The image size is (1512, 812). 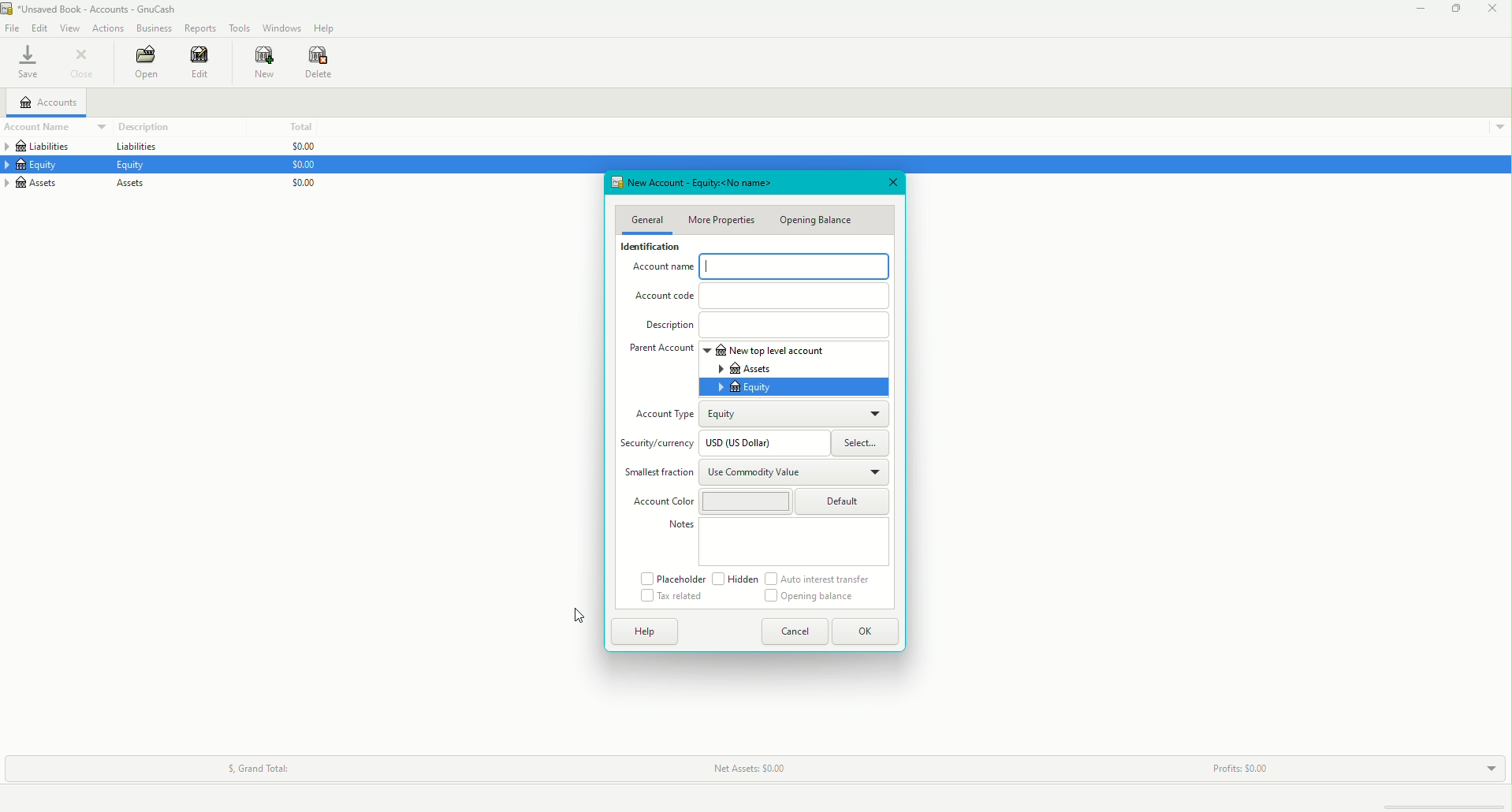 What do you see at coordinates (845, 501) in the screenshot?
I see `Default` at bounding box center [845, 501].